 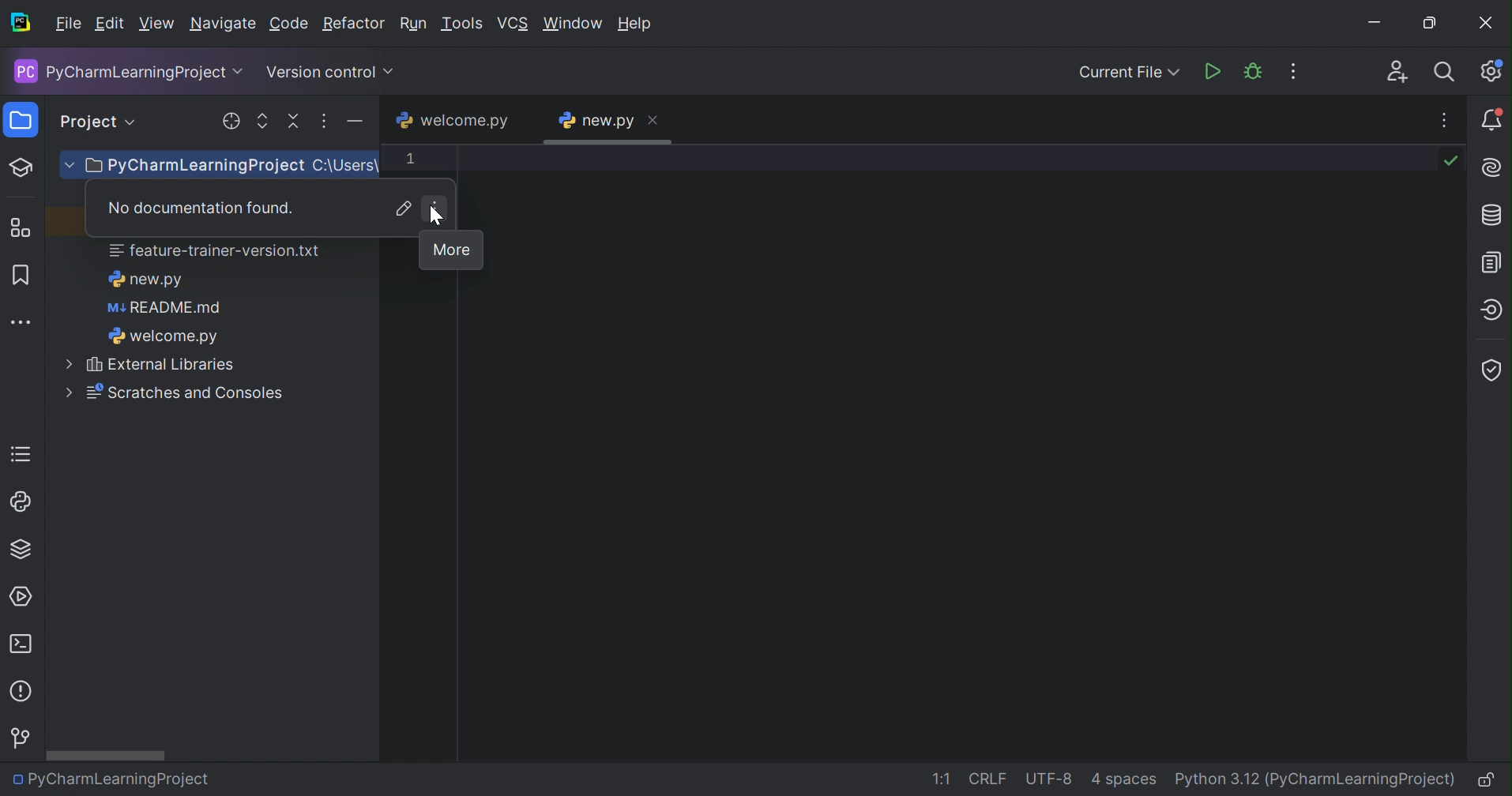 I want to click on PyCharm icon, so click(x=21, y=24).